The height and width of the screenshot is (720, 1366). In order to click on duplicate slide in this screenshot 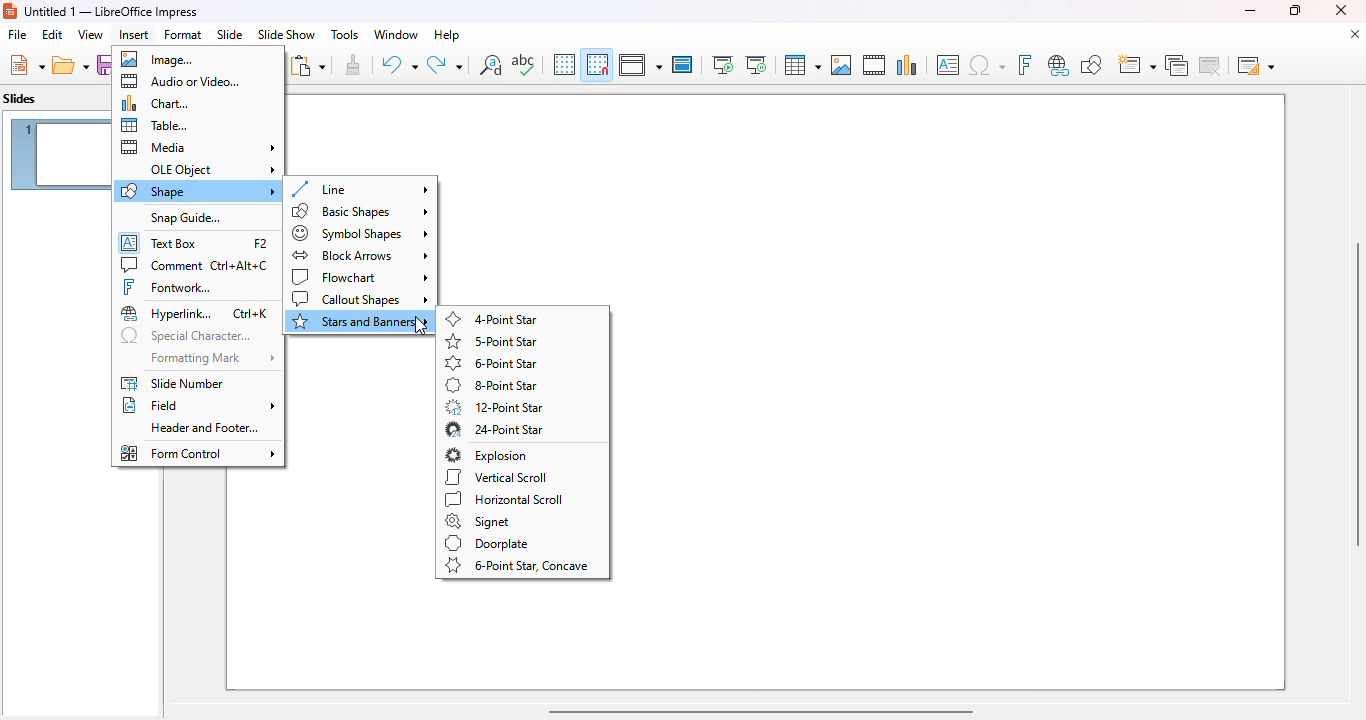, I will do `click(1177, 65)`.